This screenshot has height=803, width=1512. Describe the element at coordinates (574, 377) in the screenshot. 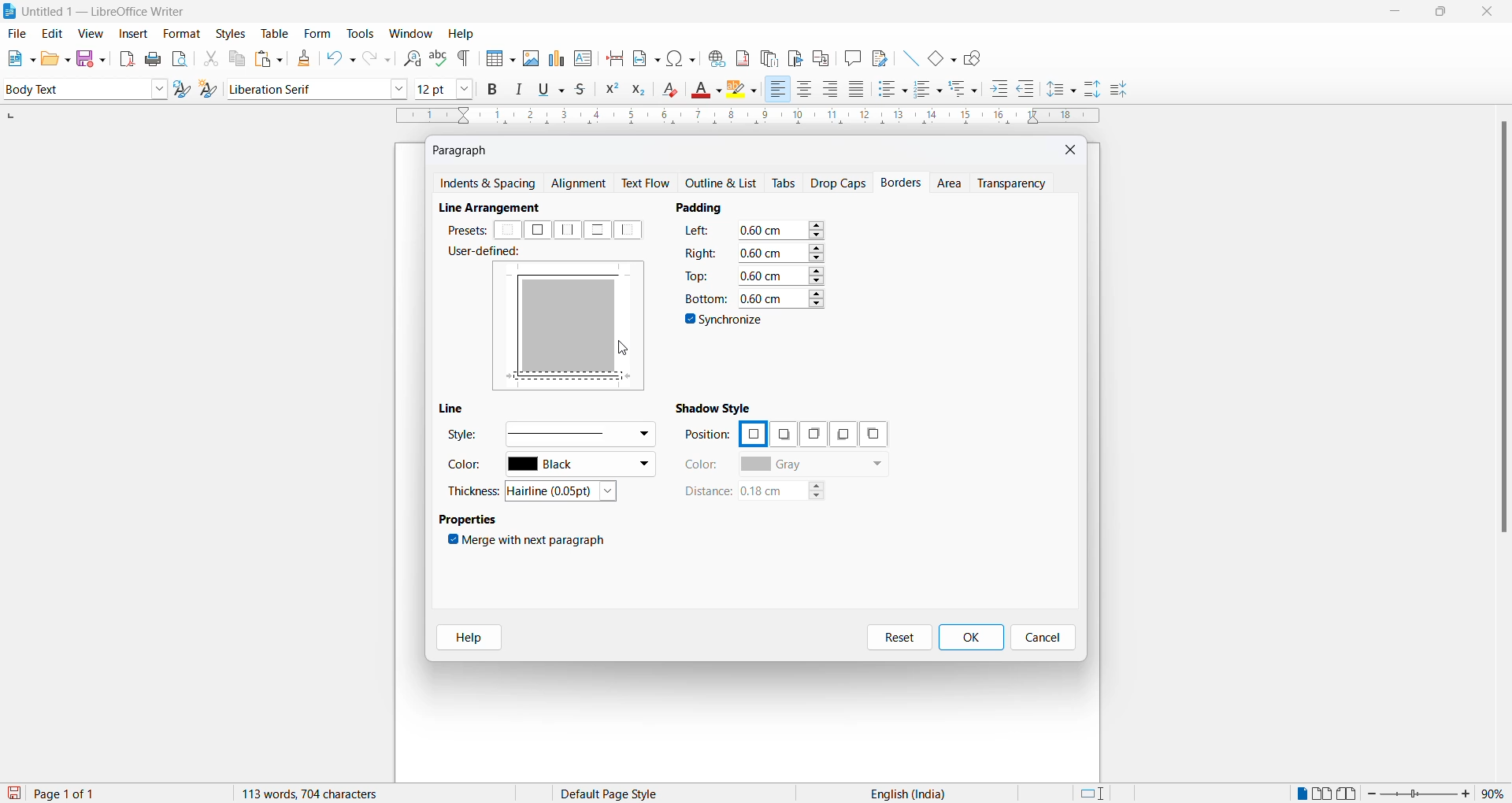

I see `paragraph border` at that location.